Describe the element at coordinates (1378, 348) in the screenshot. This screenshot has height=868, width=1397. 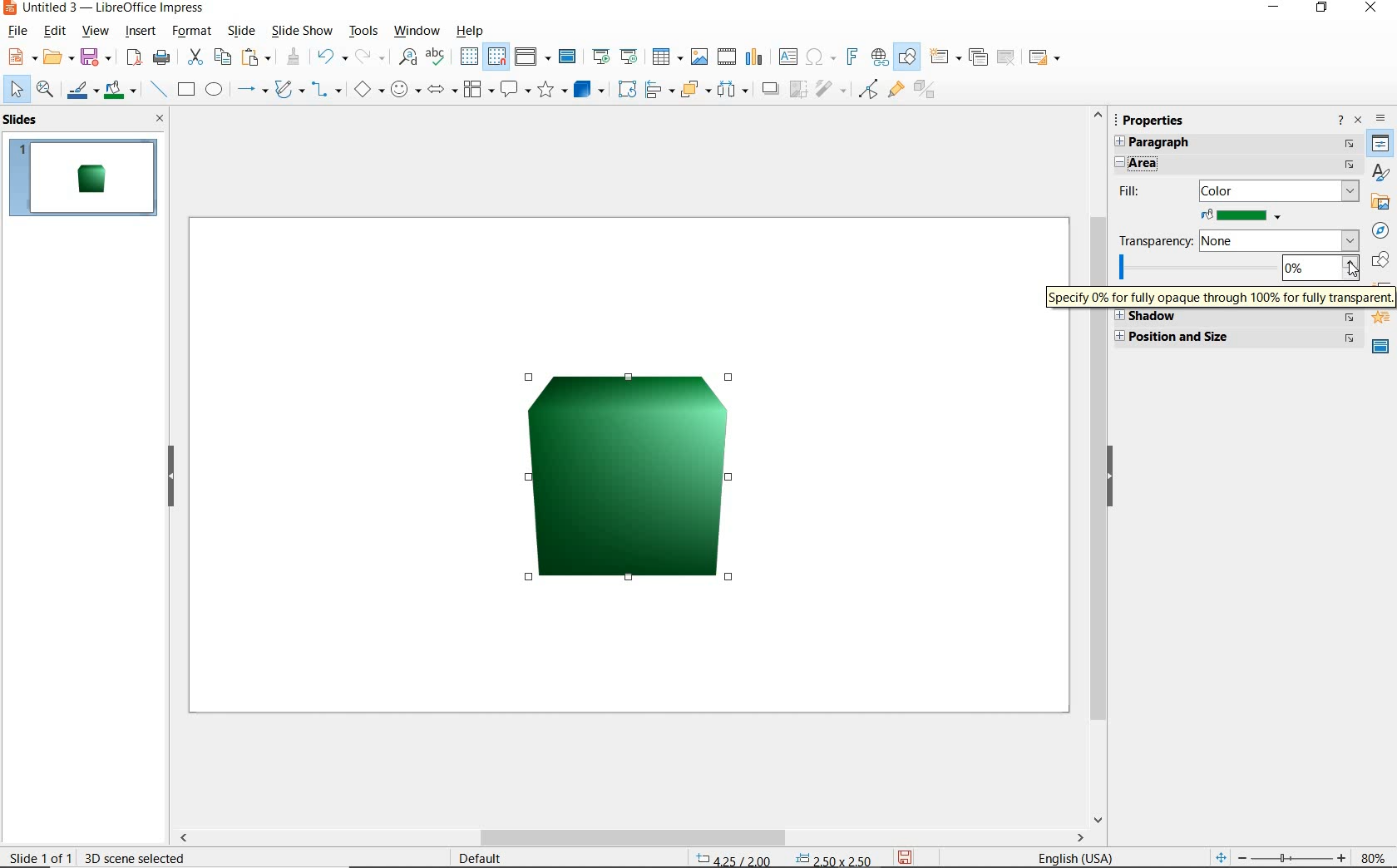
I see `MASTER SLIDE` at that location.